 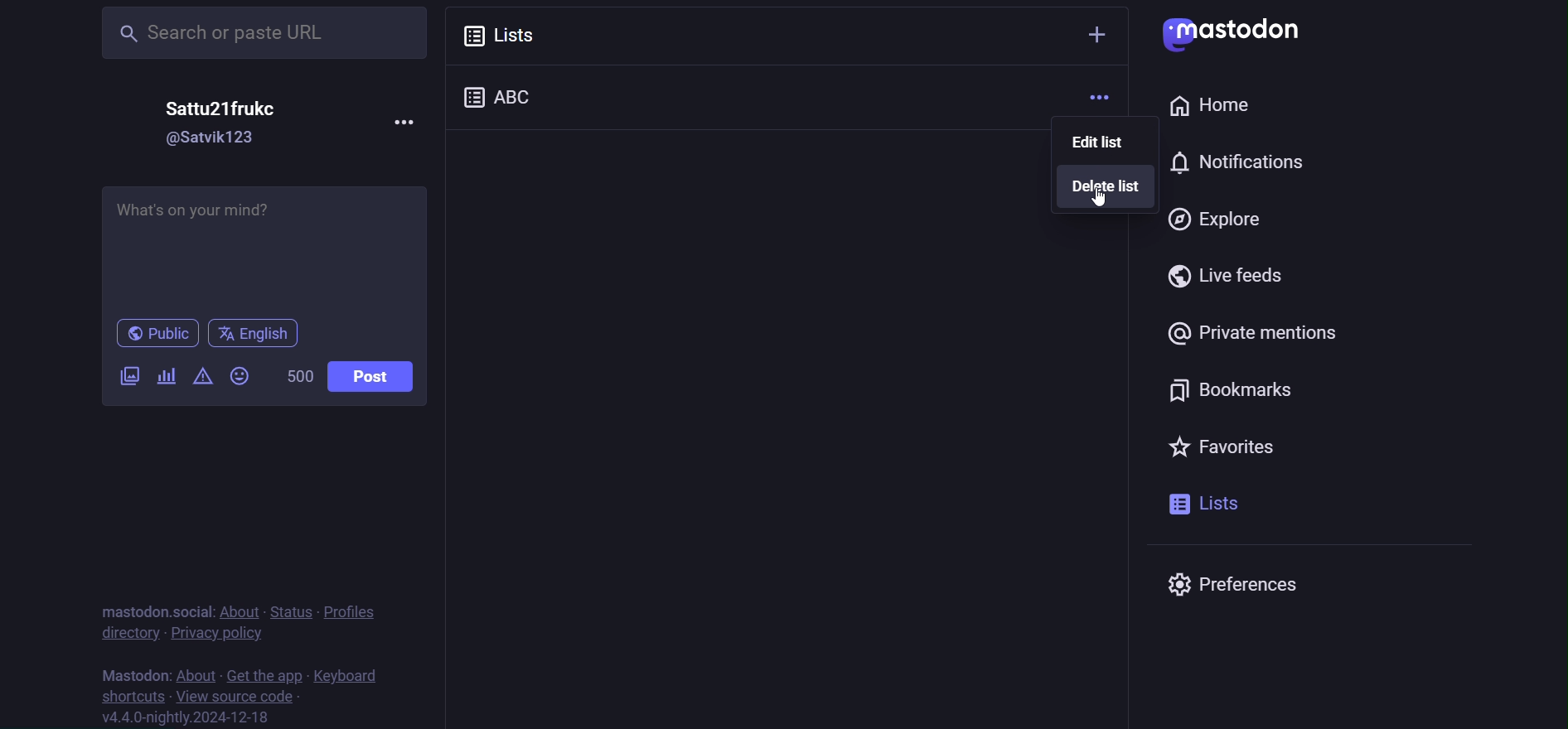 I want to click on list, so click(x=512, y=33).